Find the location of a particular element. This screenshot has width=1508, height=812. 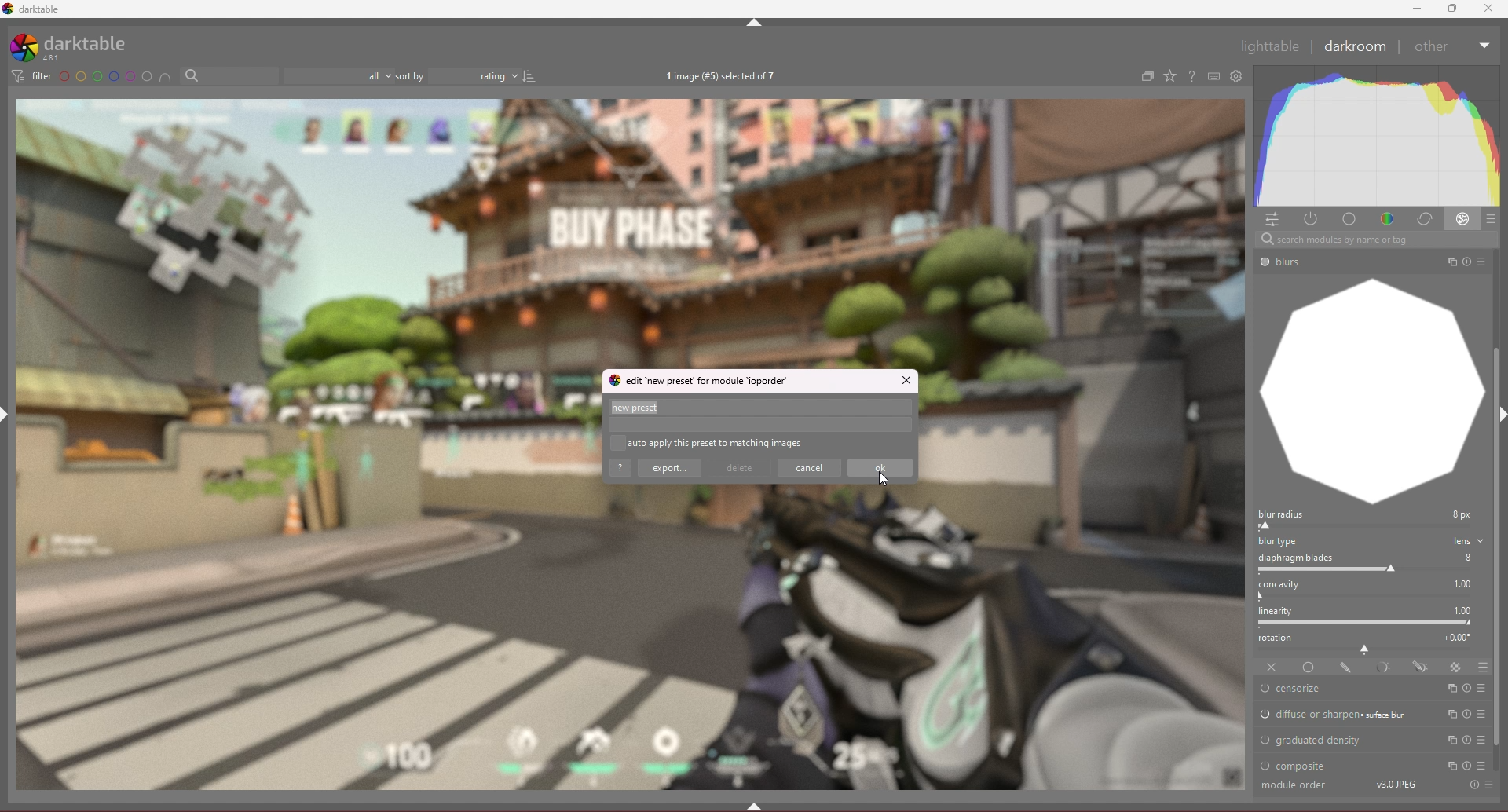

 is located at coordinates (1300, 786).